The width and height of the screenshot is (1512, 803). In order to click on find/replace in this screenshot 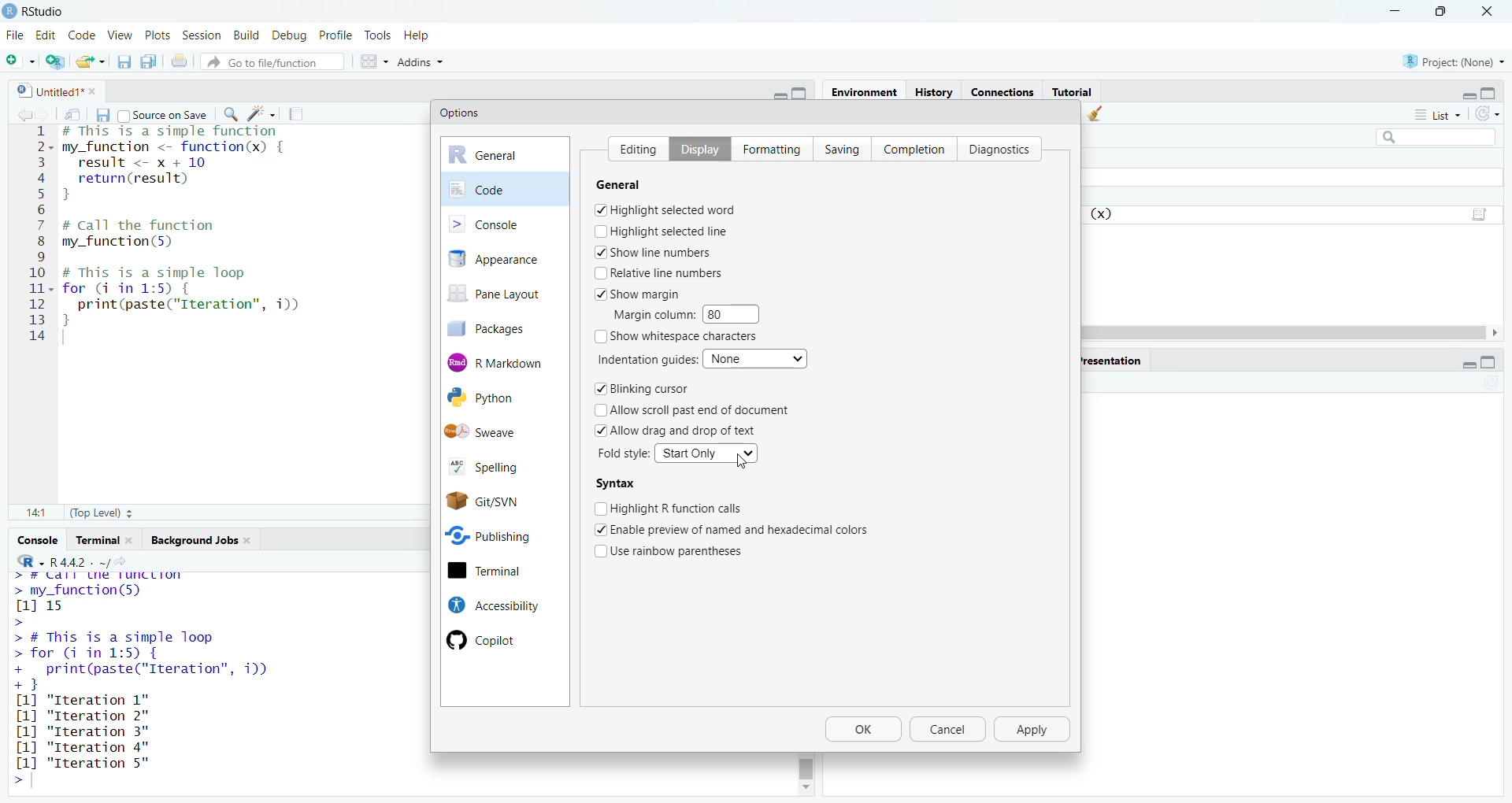, I will do `click(228, 114)`.